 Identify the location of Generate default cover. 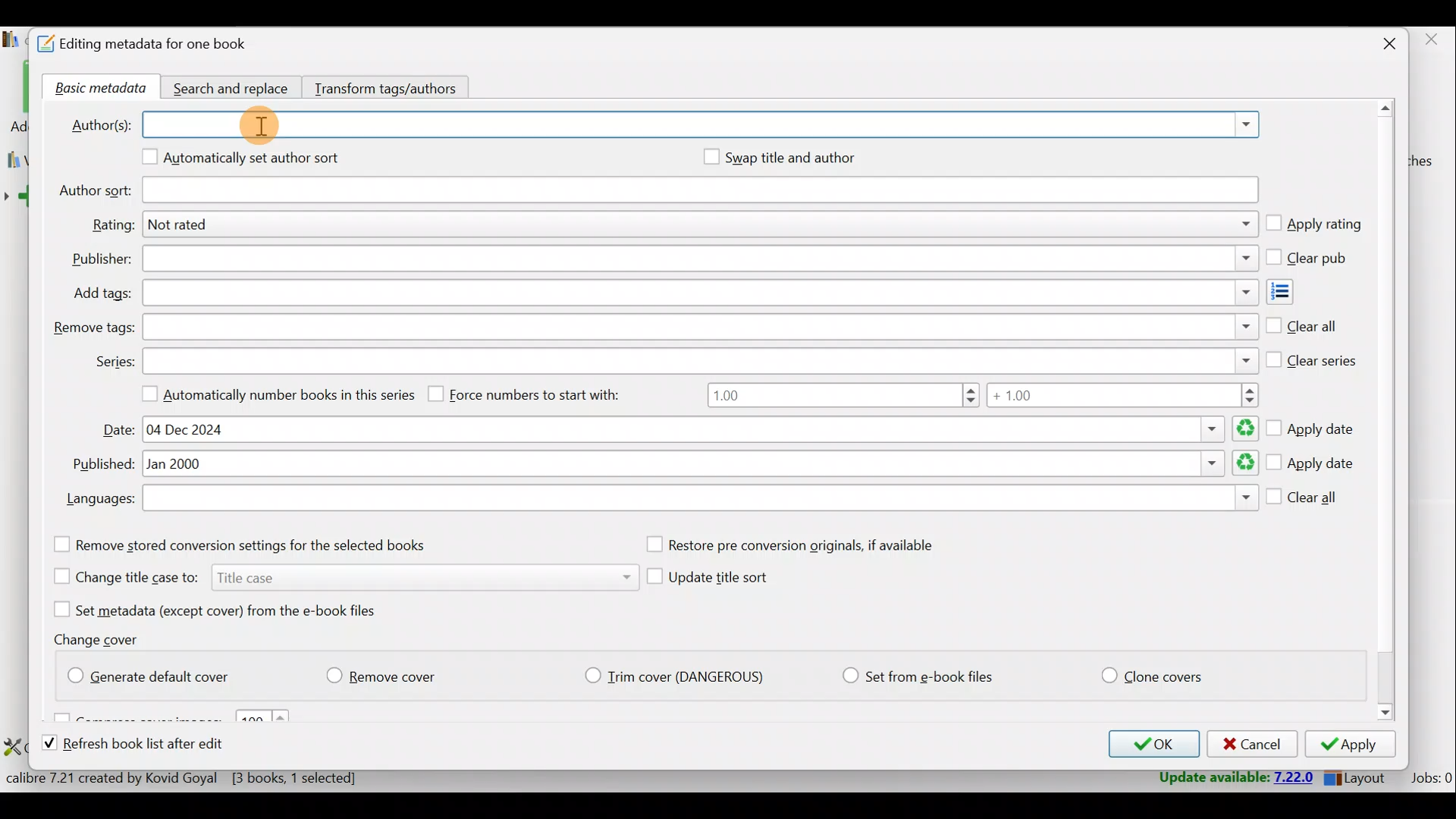
(156, 673).